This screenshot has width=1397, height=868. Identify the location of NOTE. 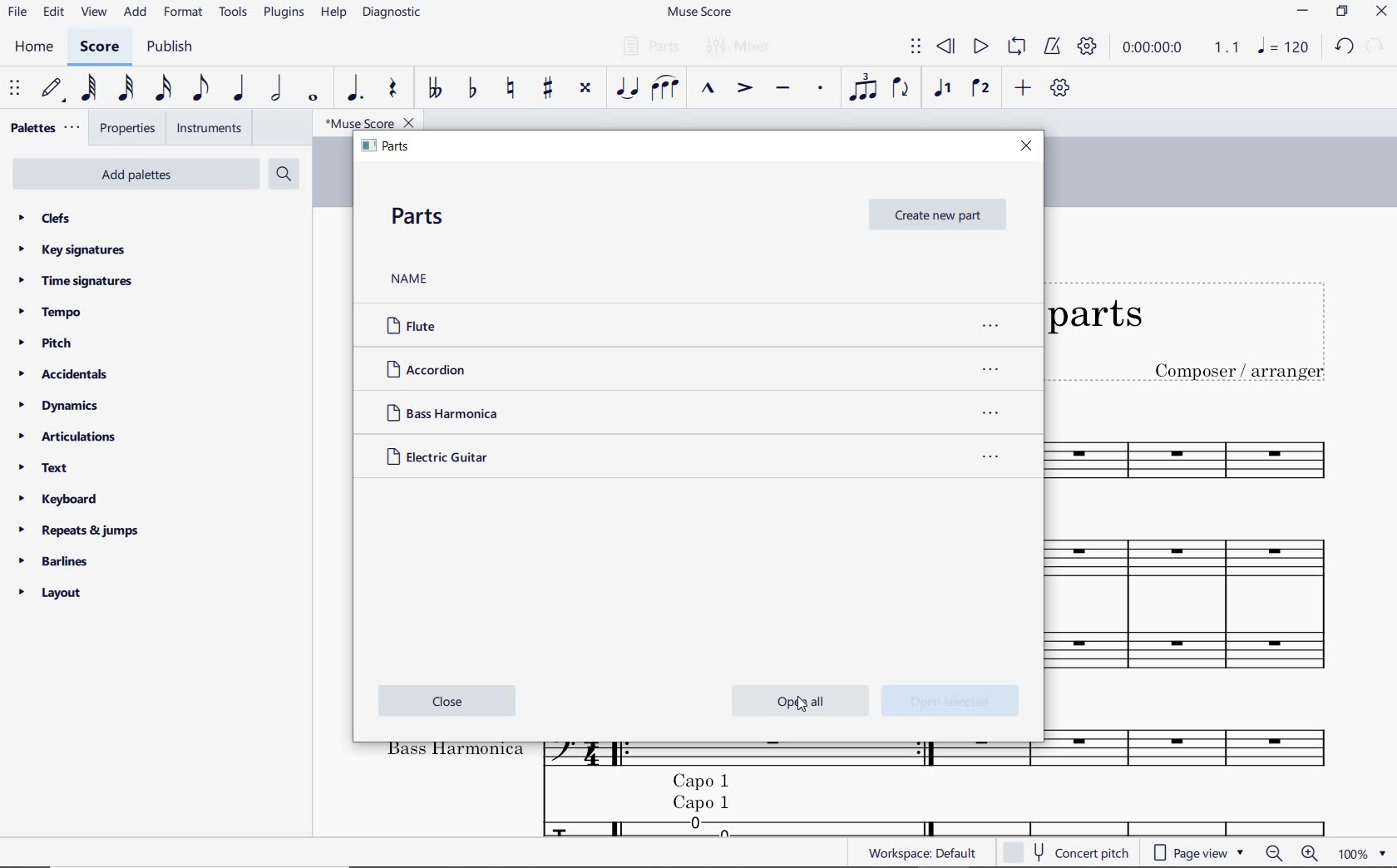
(1286, 47).